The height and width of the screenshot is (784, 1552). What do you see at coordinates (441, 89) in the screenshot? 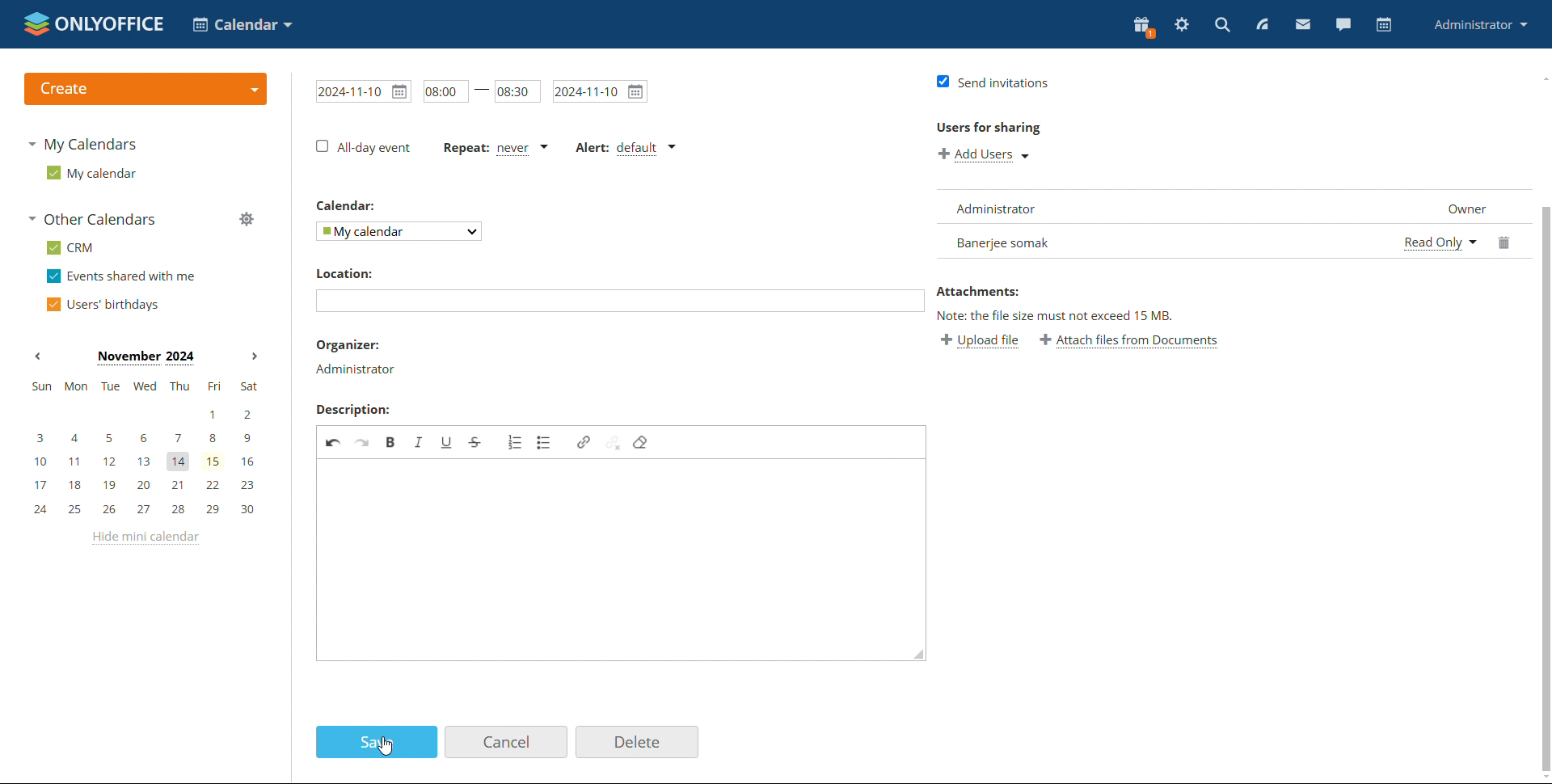
I see `start time` at bounding box center [441, 89].